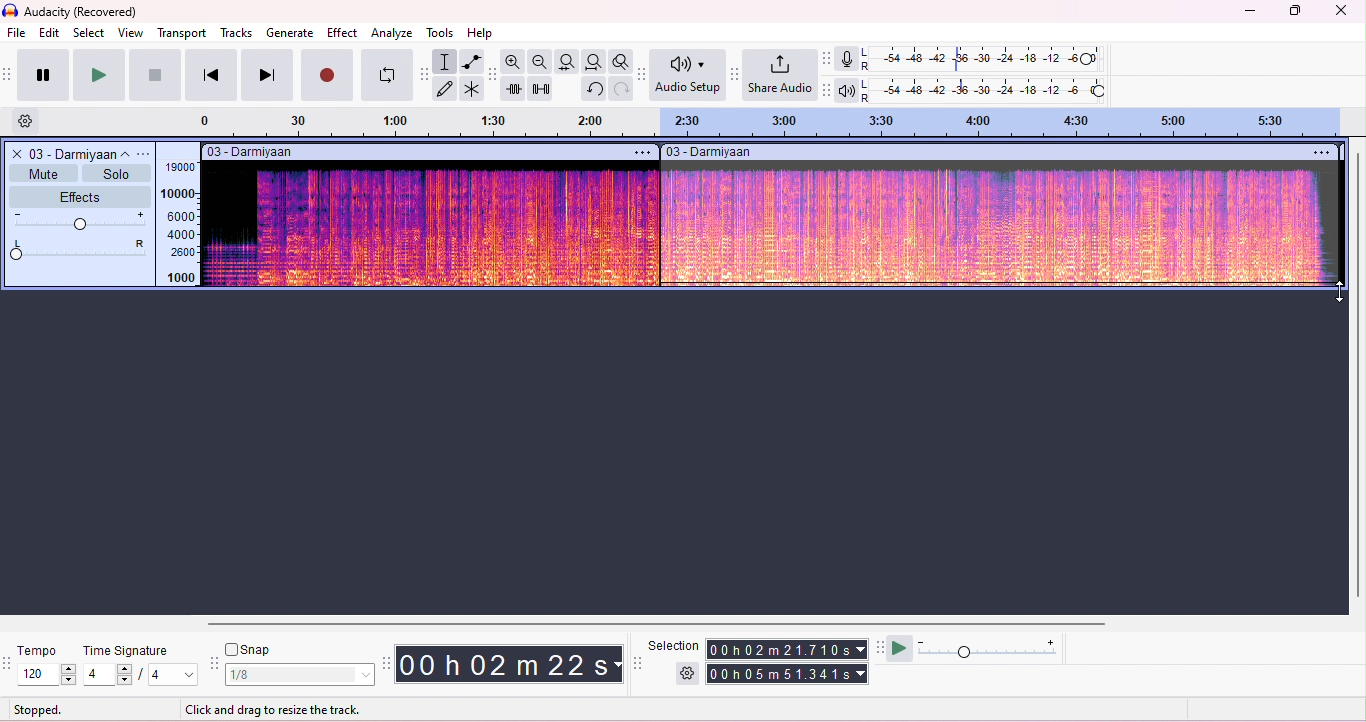 The height and width of the screenshot is (722, 1366). I want to click on play at speed/ play at speed once, so click(902, 649).